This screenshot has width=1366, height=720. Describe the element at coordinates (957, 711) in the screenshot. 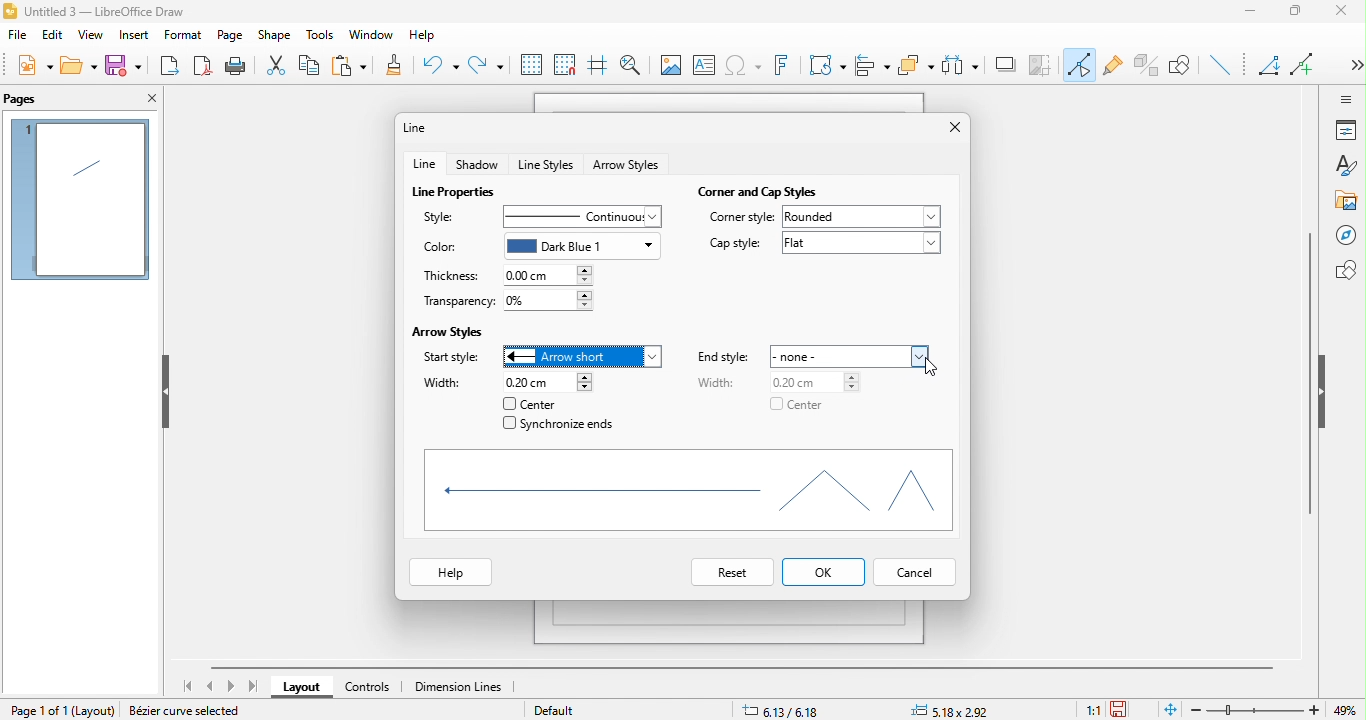

I see `5.18x2.92` at that location.